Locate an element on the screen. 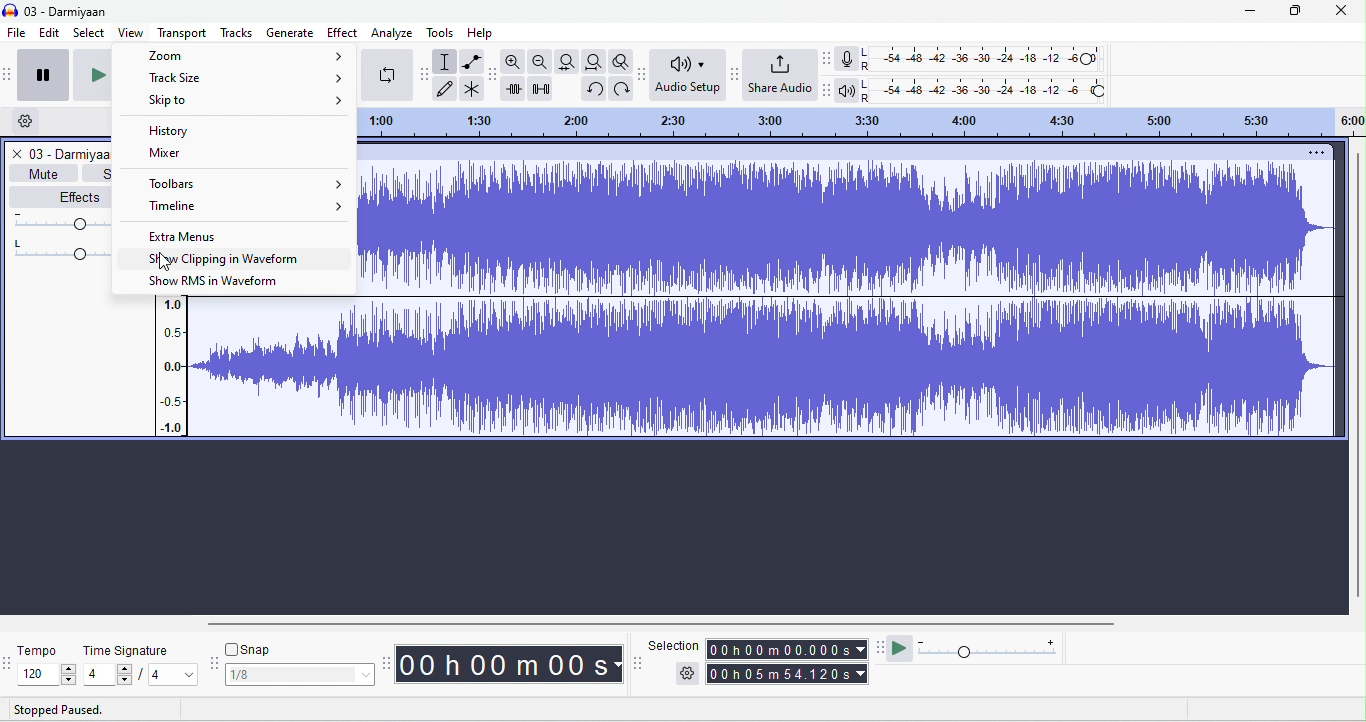 The image size is (1366, 722). time is located at coordinates (512, 665).